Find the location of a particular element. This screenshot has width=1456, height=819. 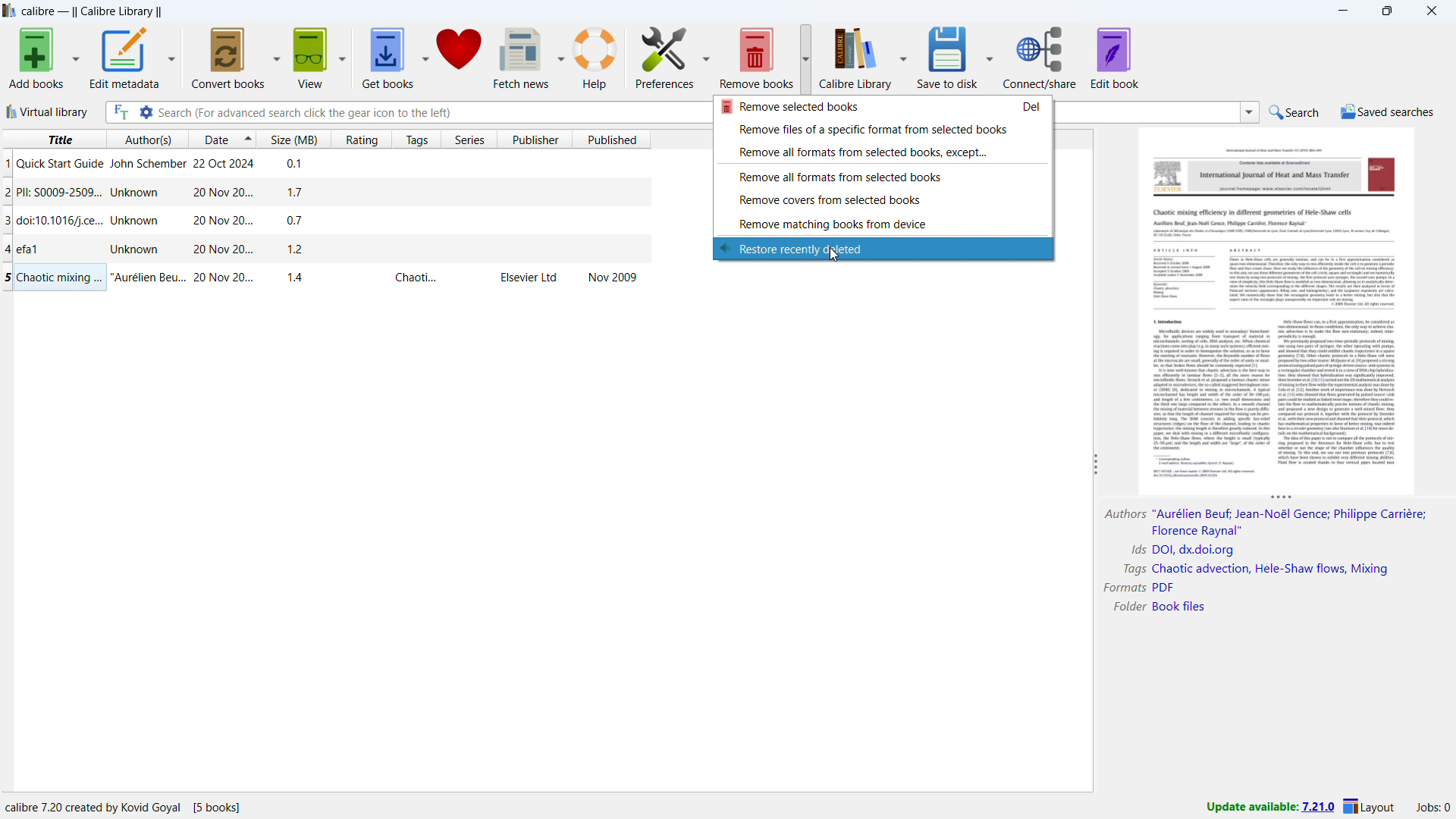

get books is located at coordinates (388, 58).